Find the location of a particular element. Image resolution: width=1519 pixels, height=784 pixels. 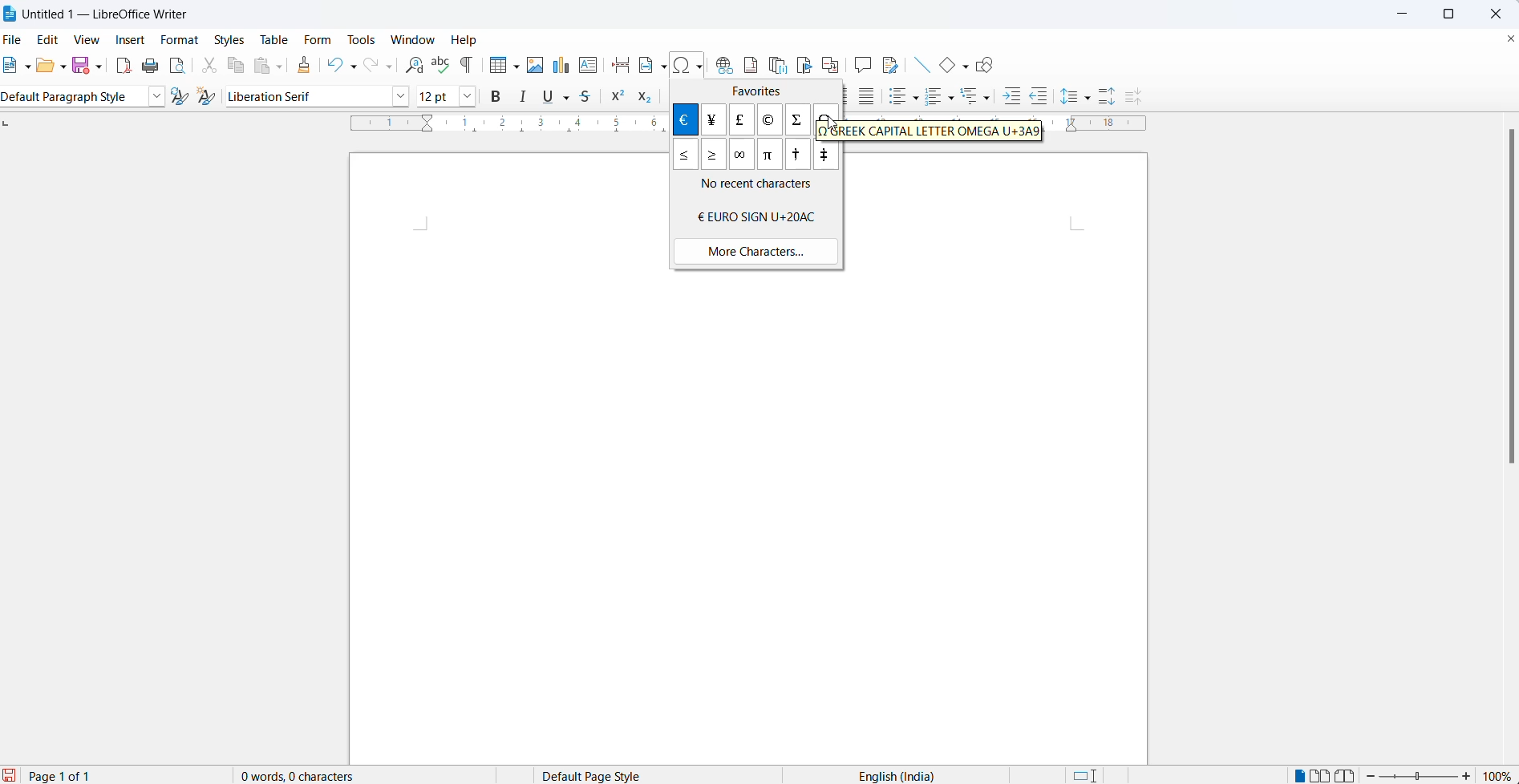

multi page view is located at coordinates (1323, 774).